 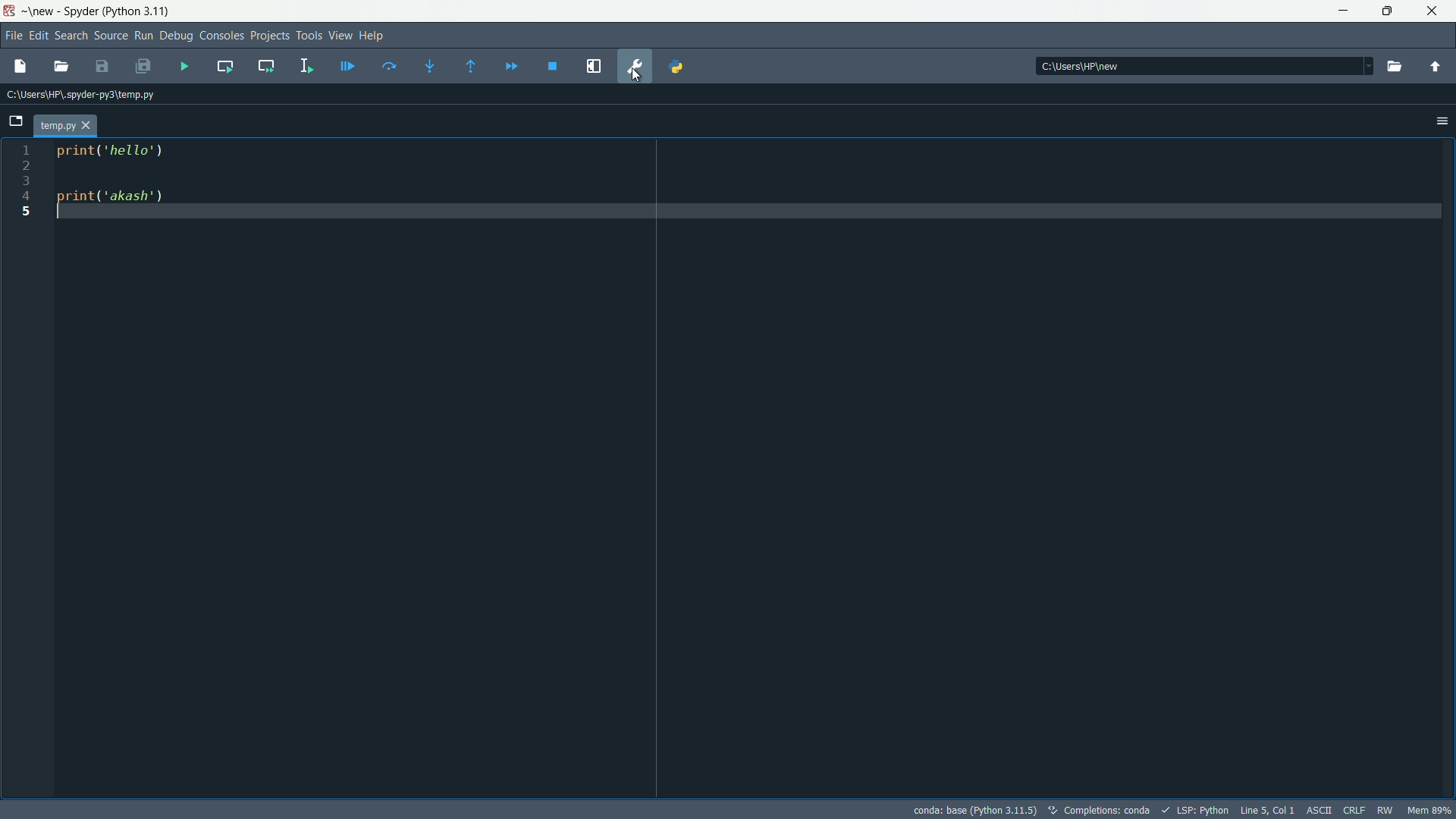 I want to click on cursor position, so click(x=1266, y=808).